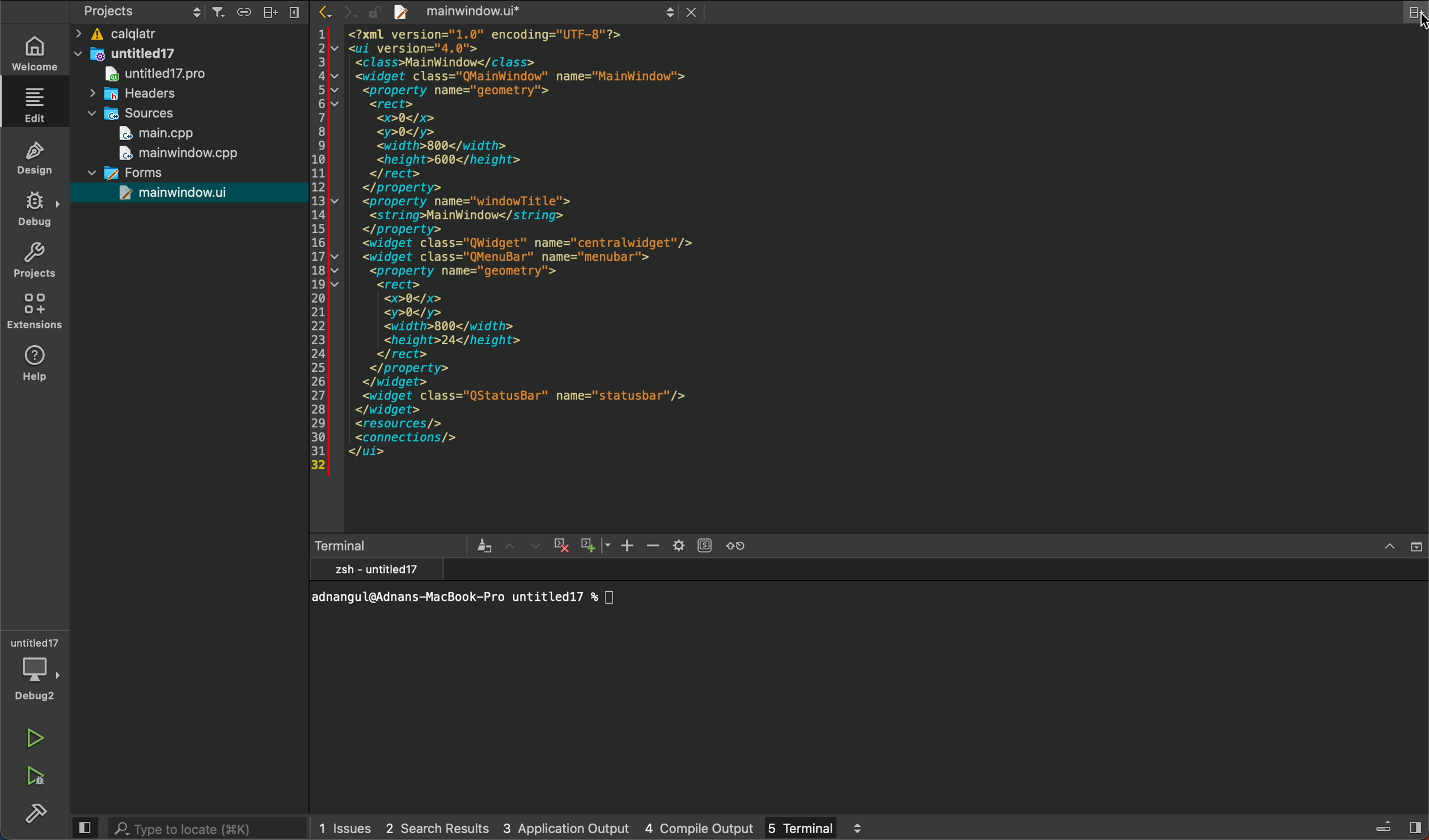 The width and height of the screenshot is (1429, 840). Describe the element at coordinates (1384, 828) in the screenshot. I see `toggle progress details` at that location.